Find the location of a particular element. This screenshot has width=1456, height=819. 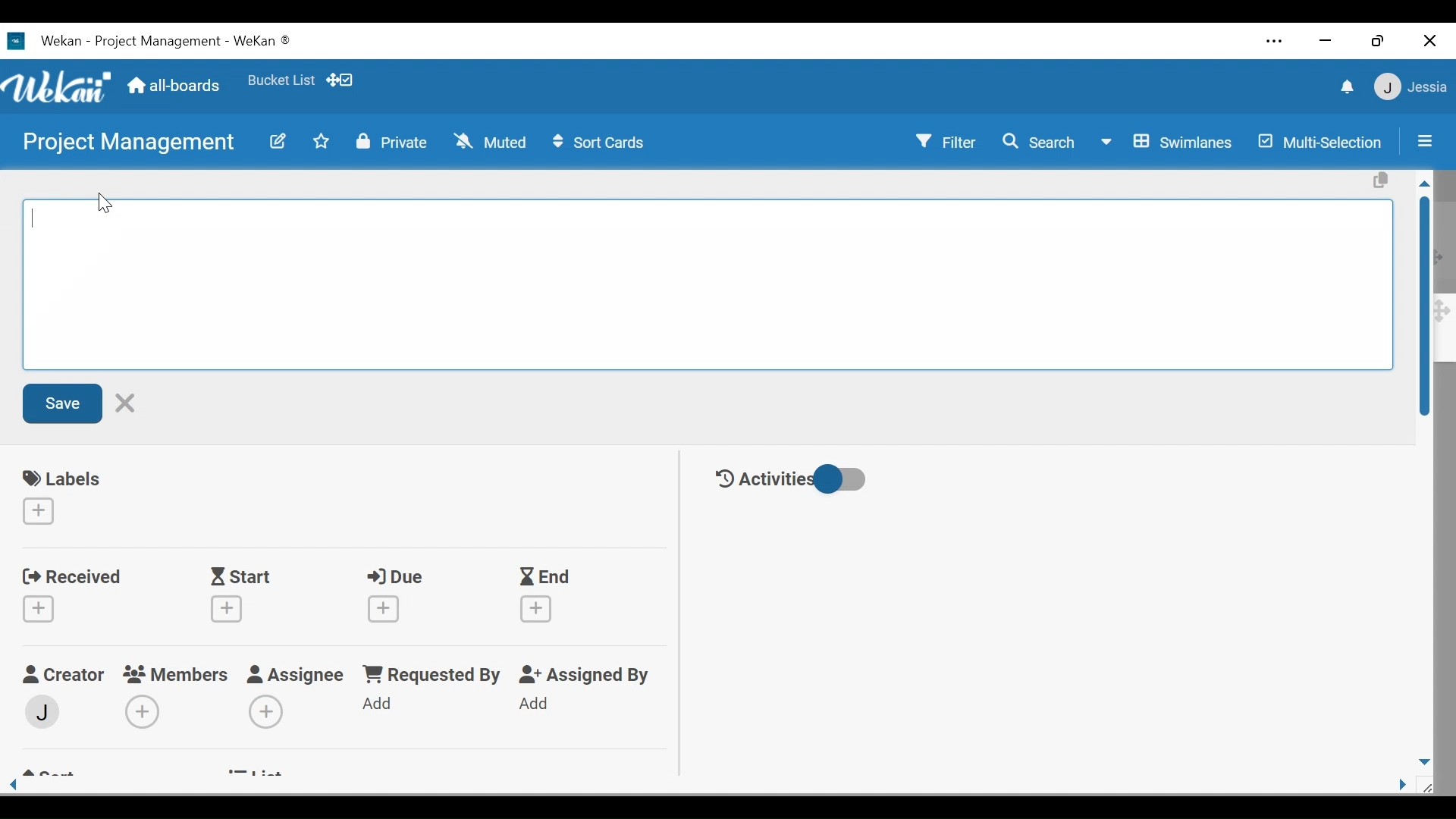

Copy is located at coordinates (1382, 181).